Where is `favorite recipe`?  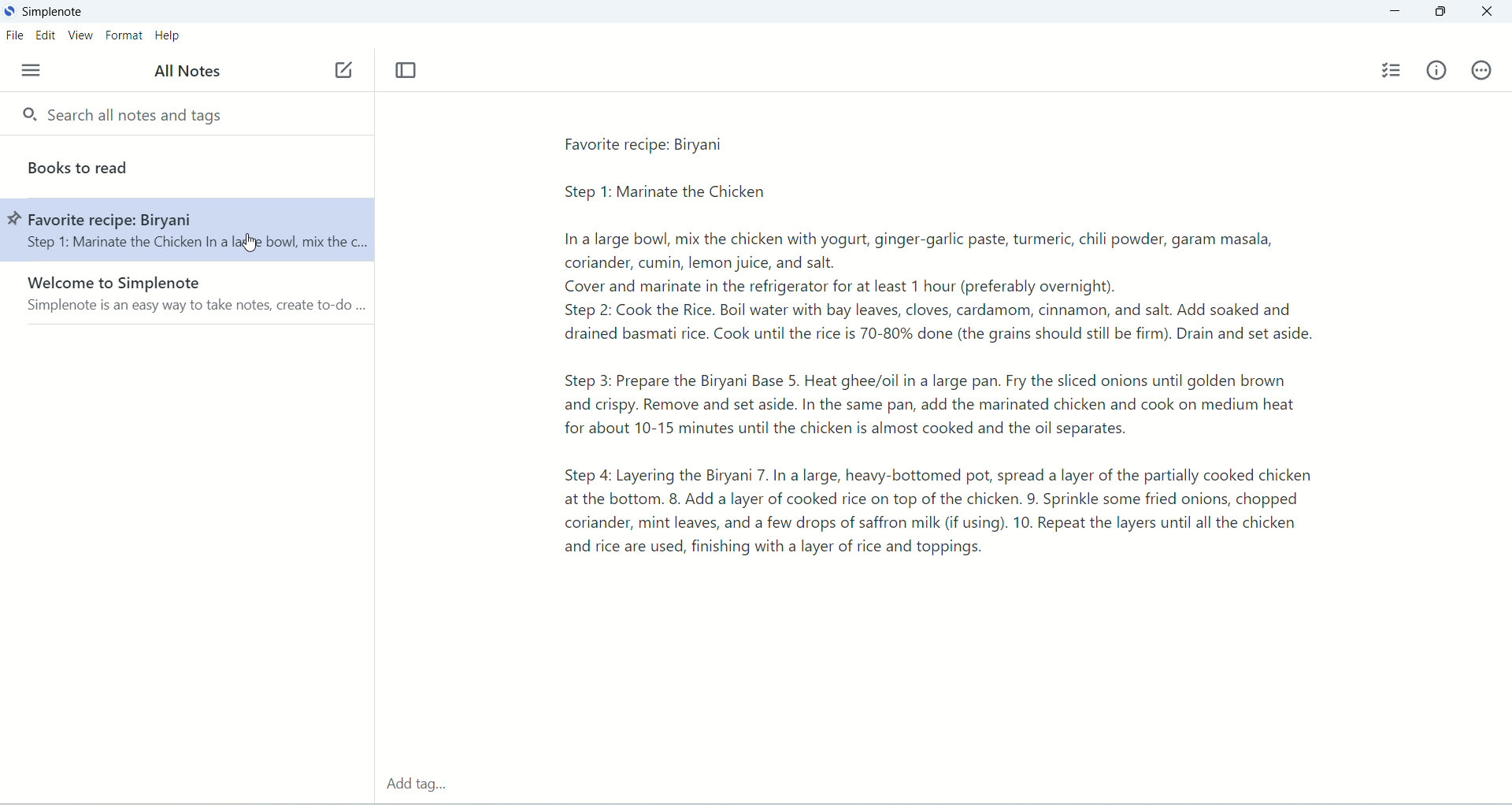 favorite recipe is located at coordinates (186, 228).